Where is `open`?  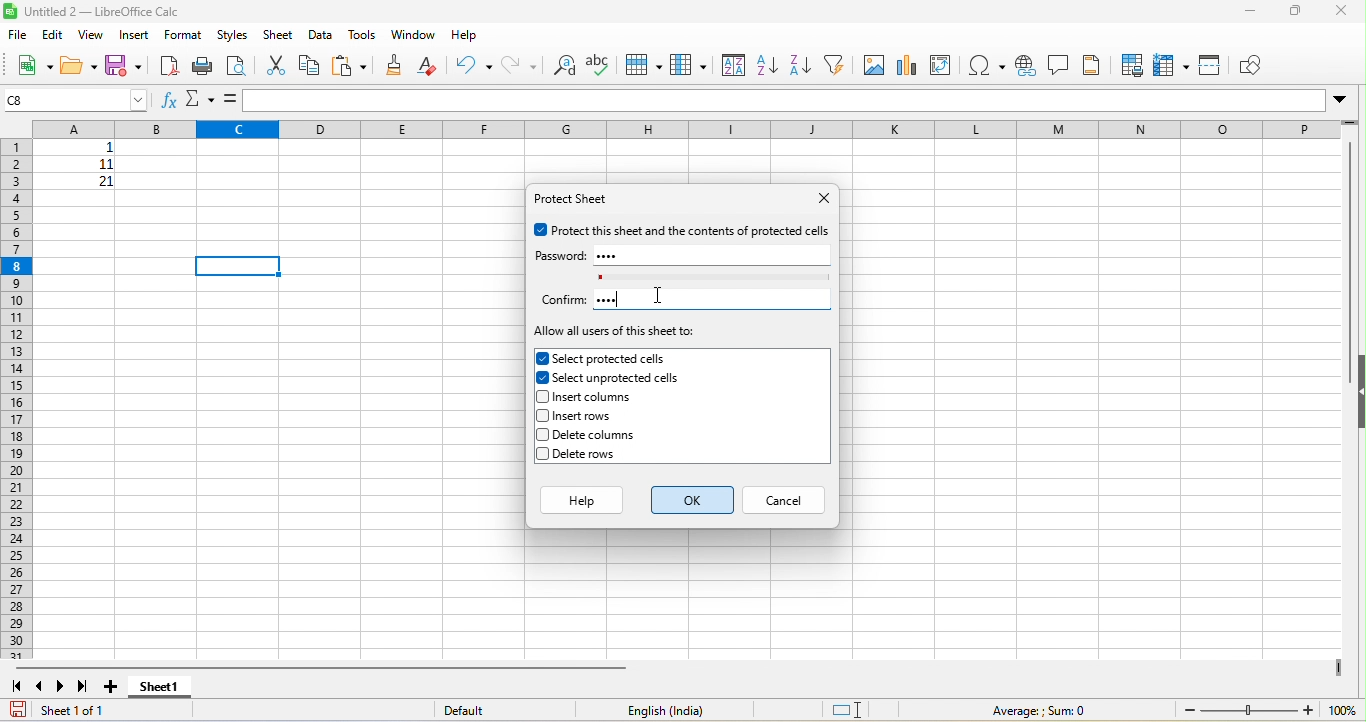
open is located at coordinates (78, 67).